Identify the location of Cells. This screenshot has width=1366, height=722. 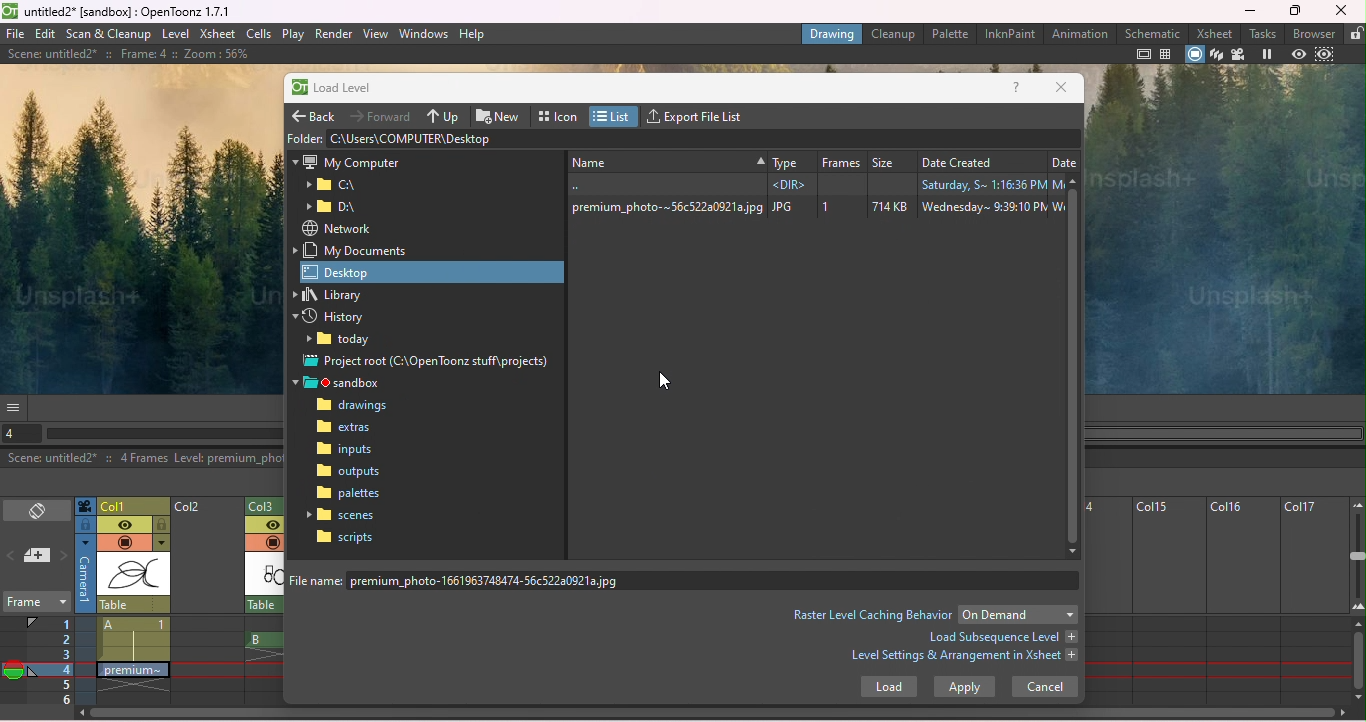
(258, 33).